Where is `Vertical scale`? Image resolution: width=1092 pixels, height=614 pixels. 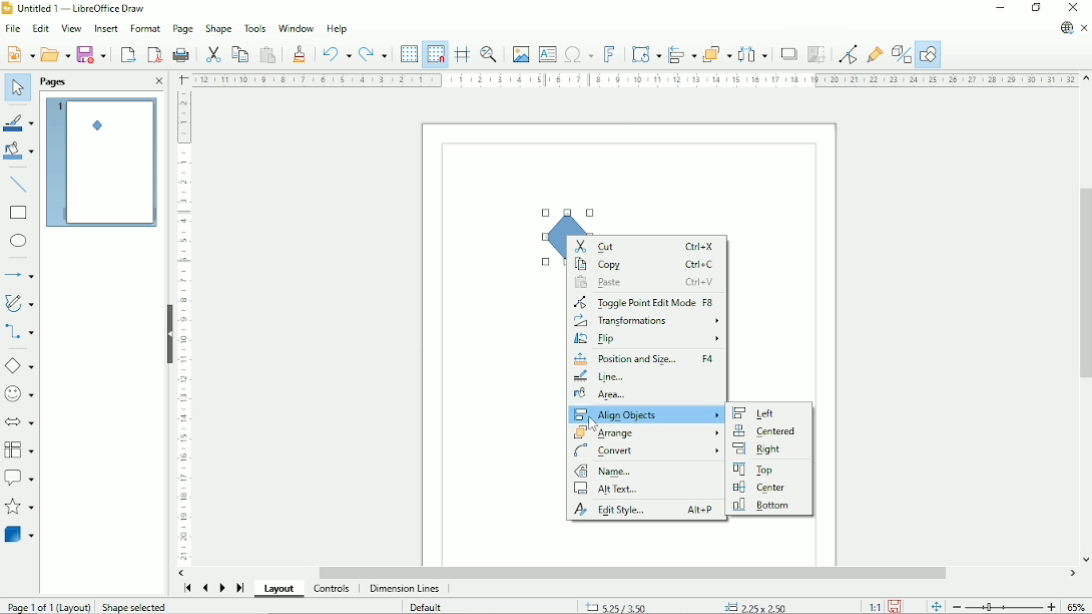 Vertical scale is located at coordinates (183, 326).